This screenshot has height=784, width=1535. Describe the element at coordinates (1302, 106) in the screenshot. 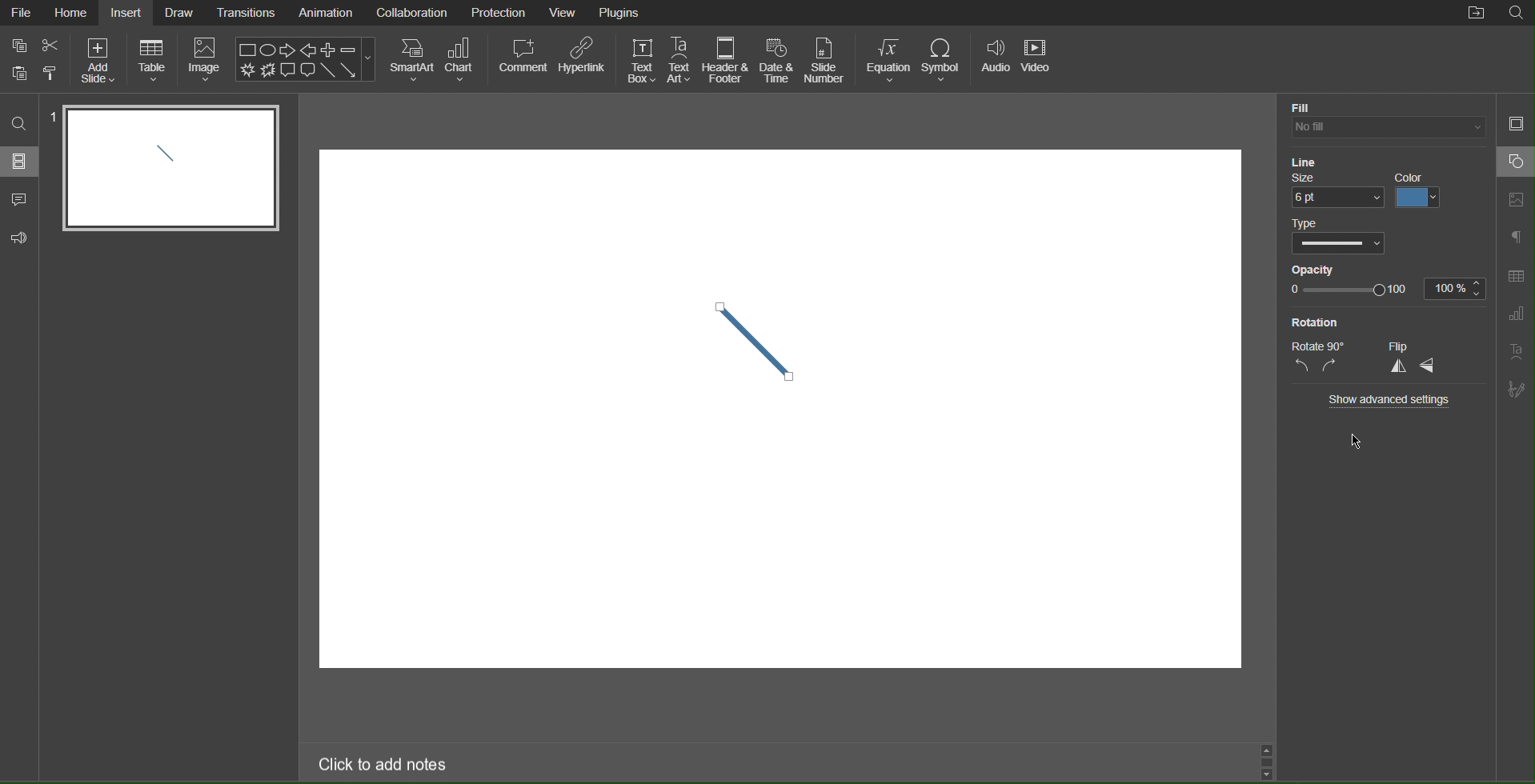

I see `Fill: No fill` at that location.